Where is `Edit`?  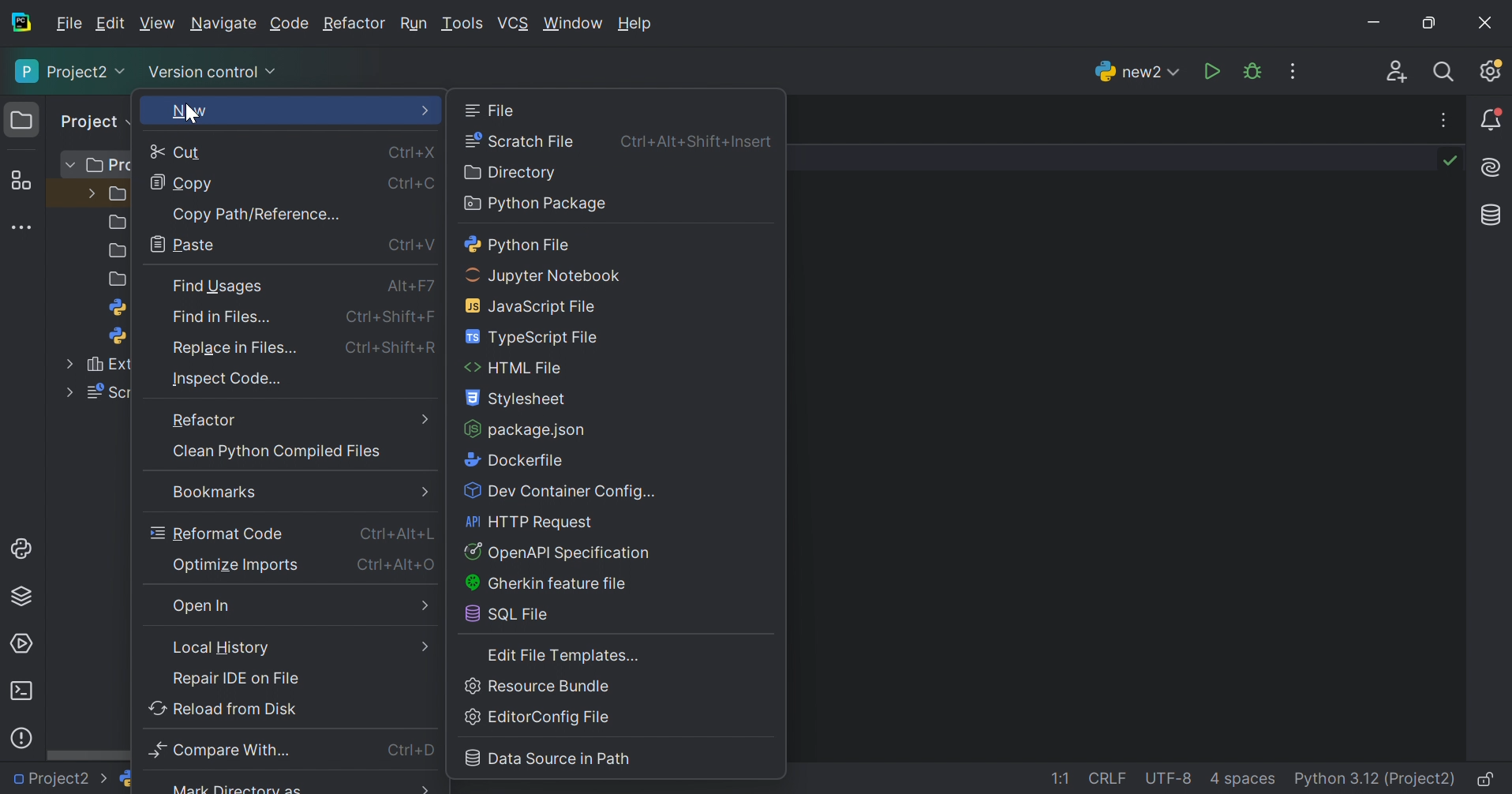 Edit is located at coordinates (110, 24).